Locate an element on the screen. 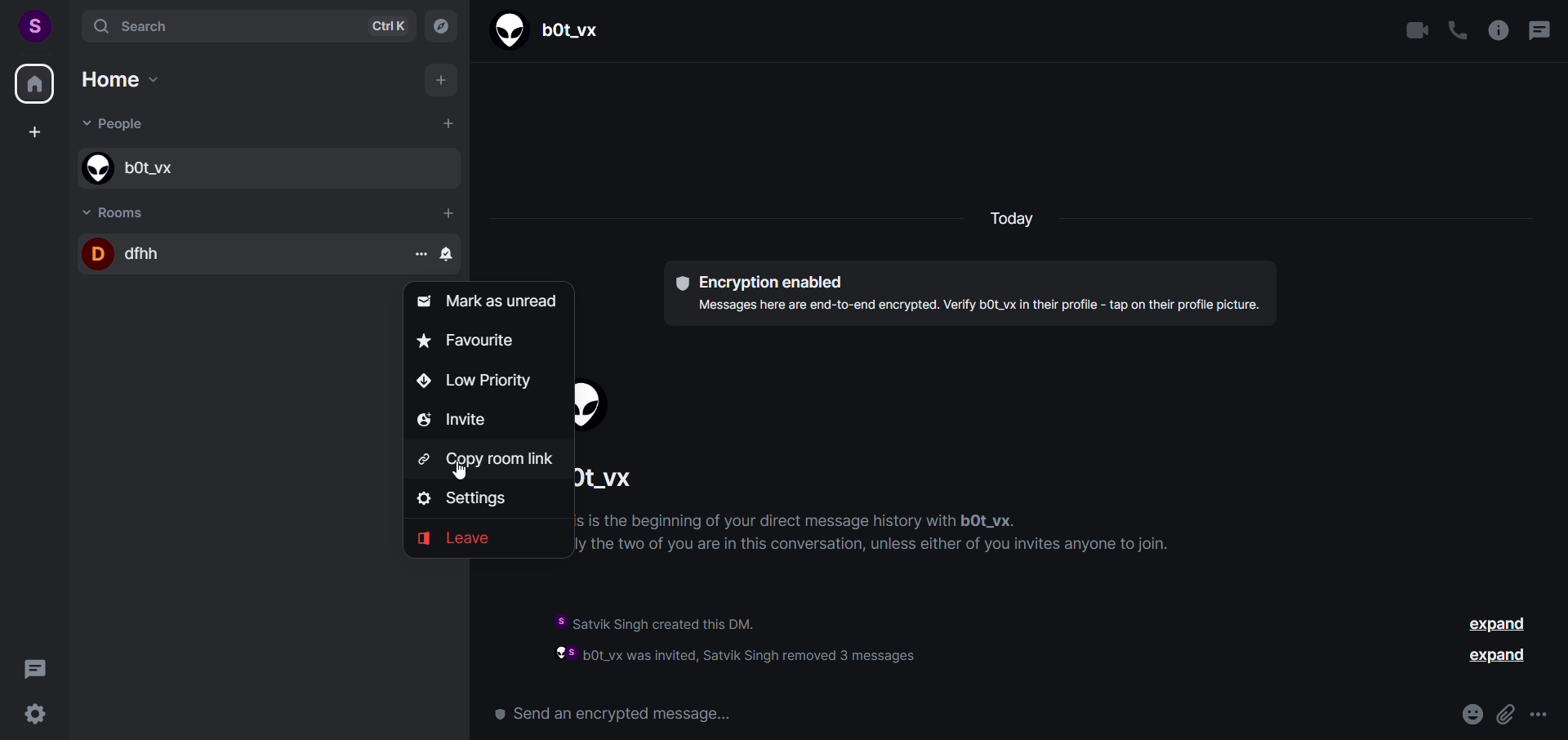  create space is located at coordinates (33, 133).